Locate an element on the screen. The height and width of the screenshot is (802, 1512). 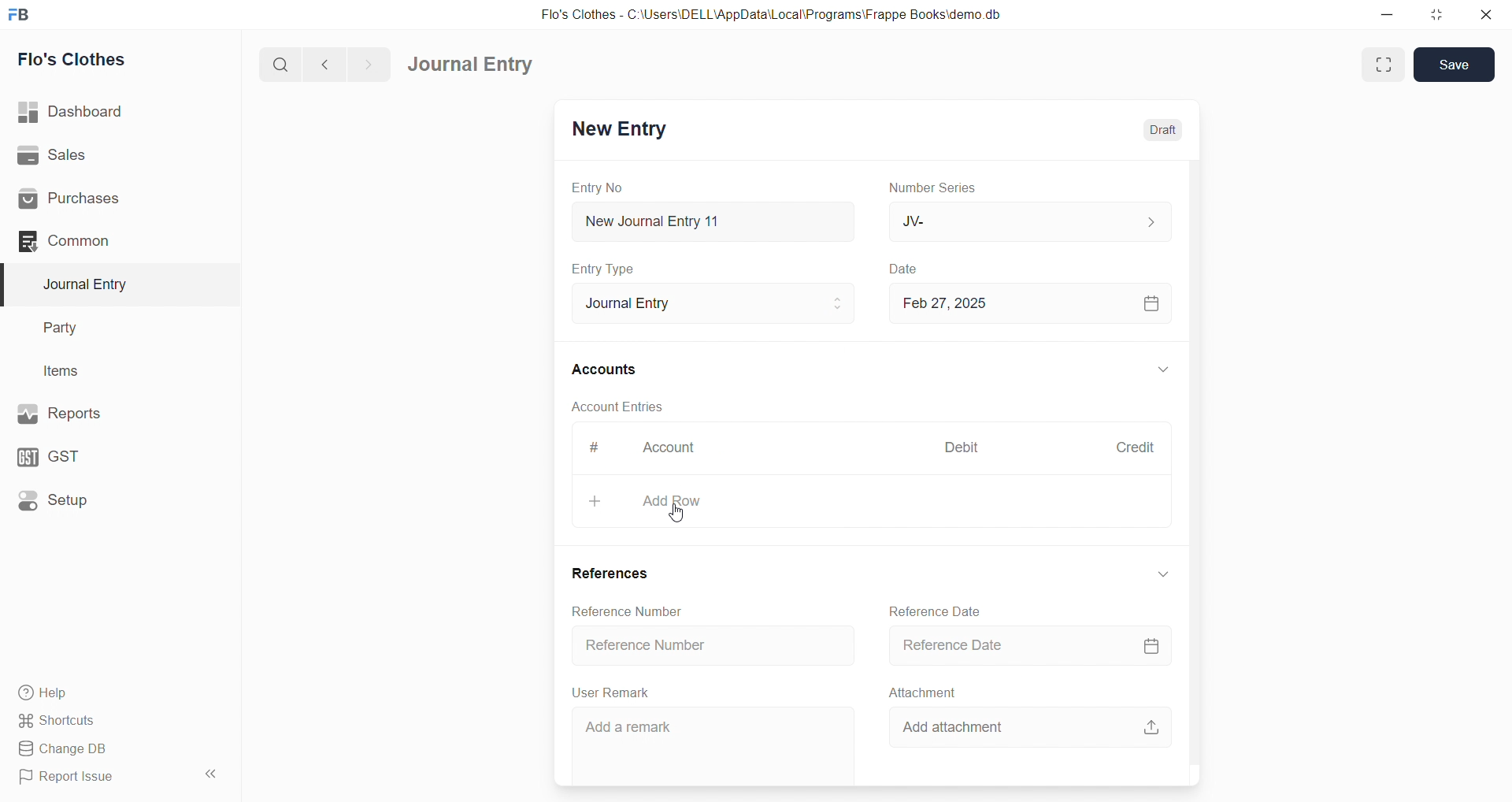
Flo's Clothes is located at coordinates (80, 59).